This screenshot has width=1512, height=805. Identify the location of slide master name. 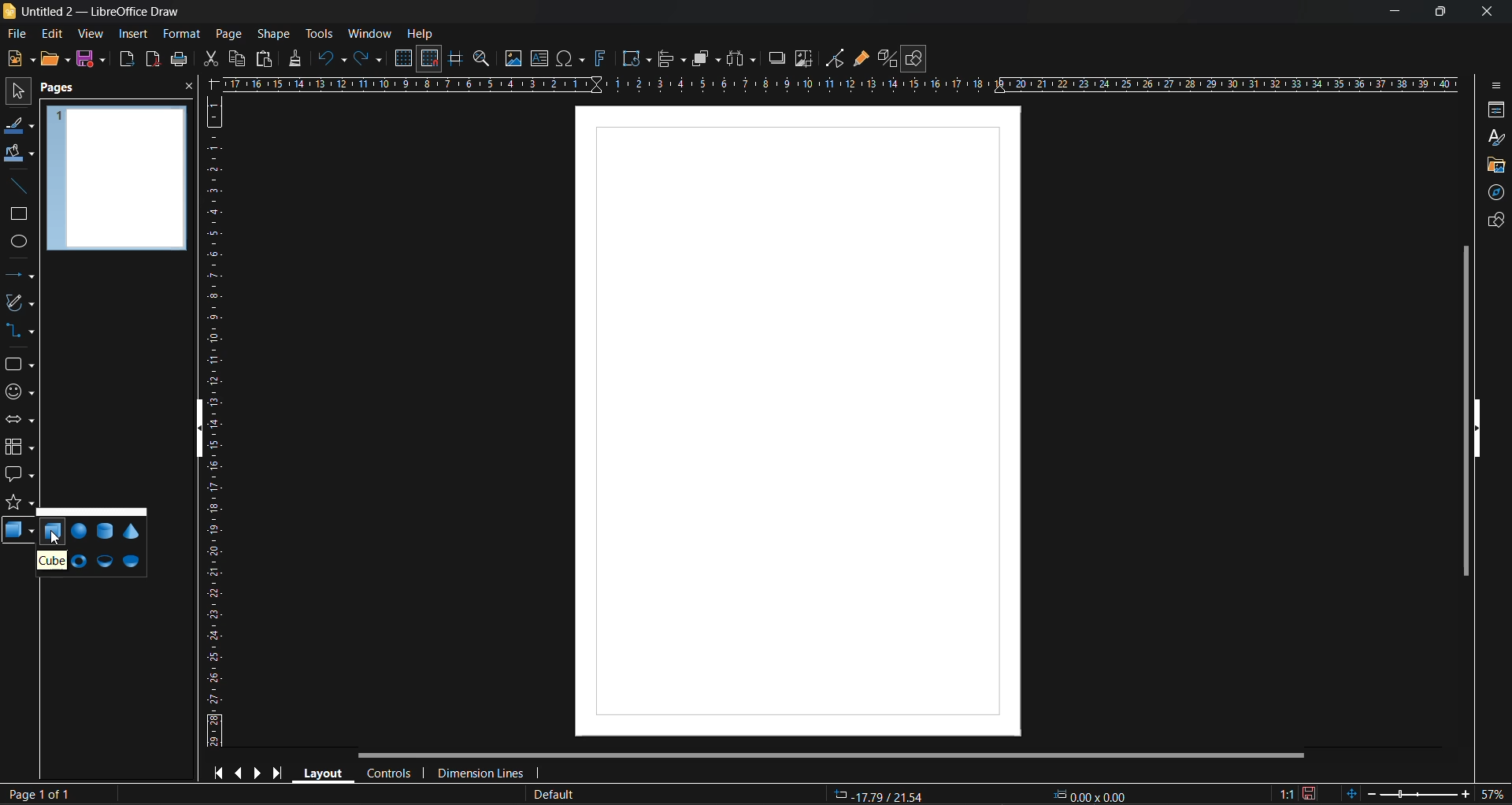
(555, 795).